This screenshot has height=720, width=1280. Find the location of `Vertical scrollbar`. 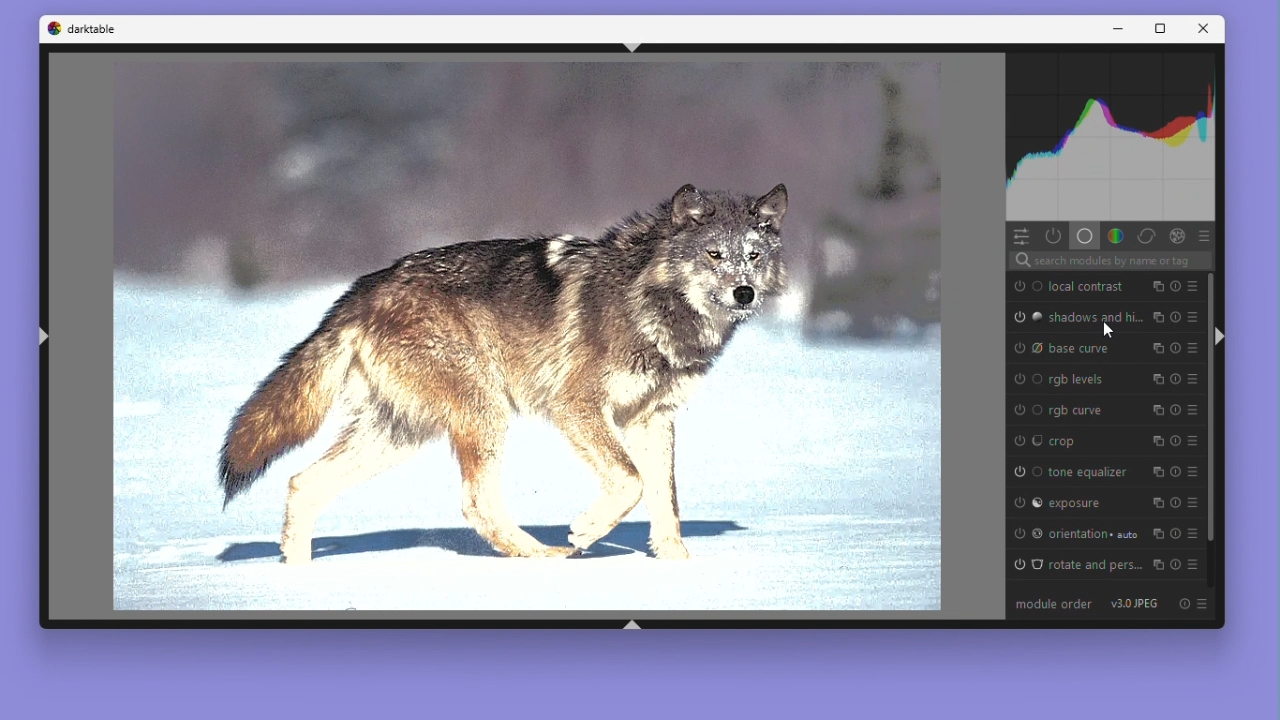

Vertical scrollbar is located at coordinates (1212, 423).